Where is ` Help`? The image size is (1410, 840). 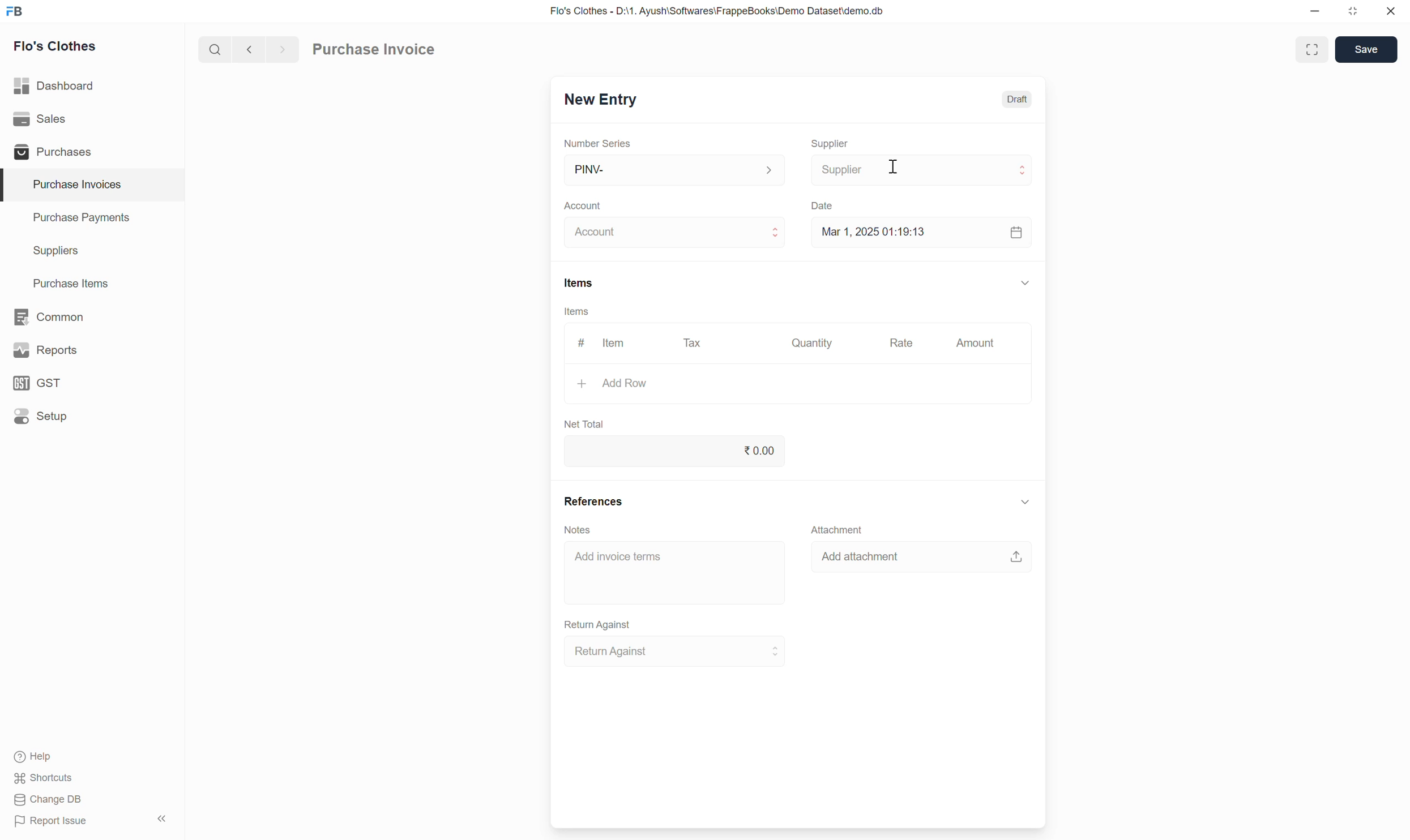
 Help is located at coordinates (46, 758).